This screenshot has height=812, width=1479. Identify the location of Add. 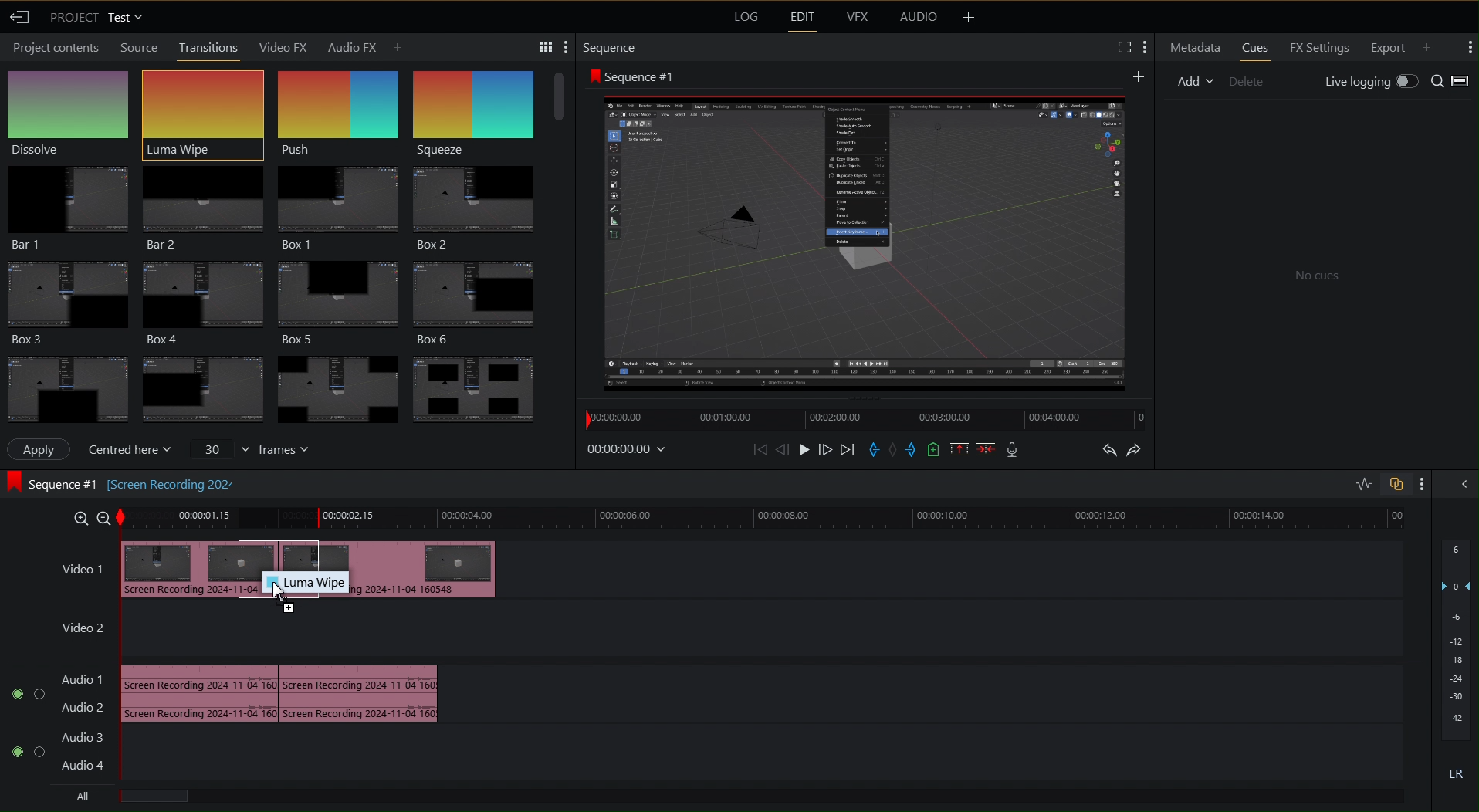
(1195, 81).